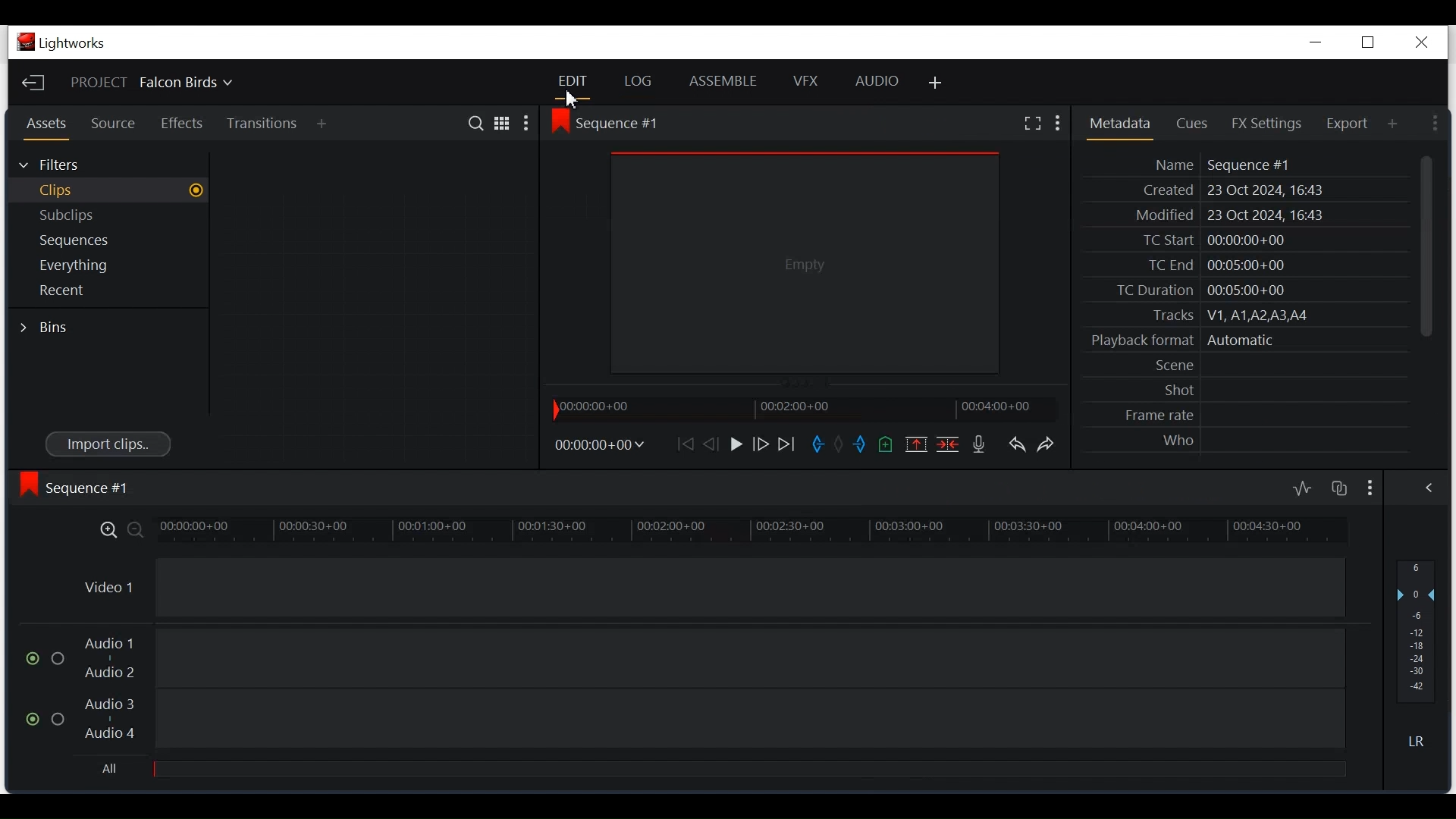 Image resolution: width=1456 pixels, height=819 pixels. I want to click on Show settings menu, so click(526, 122).